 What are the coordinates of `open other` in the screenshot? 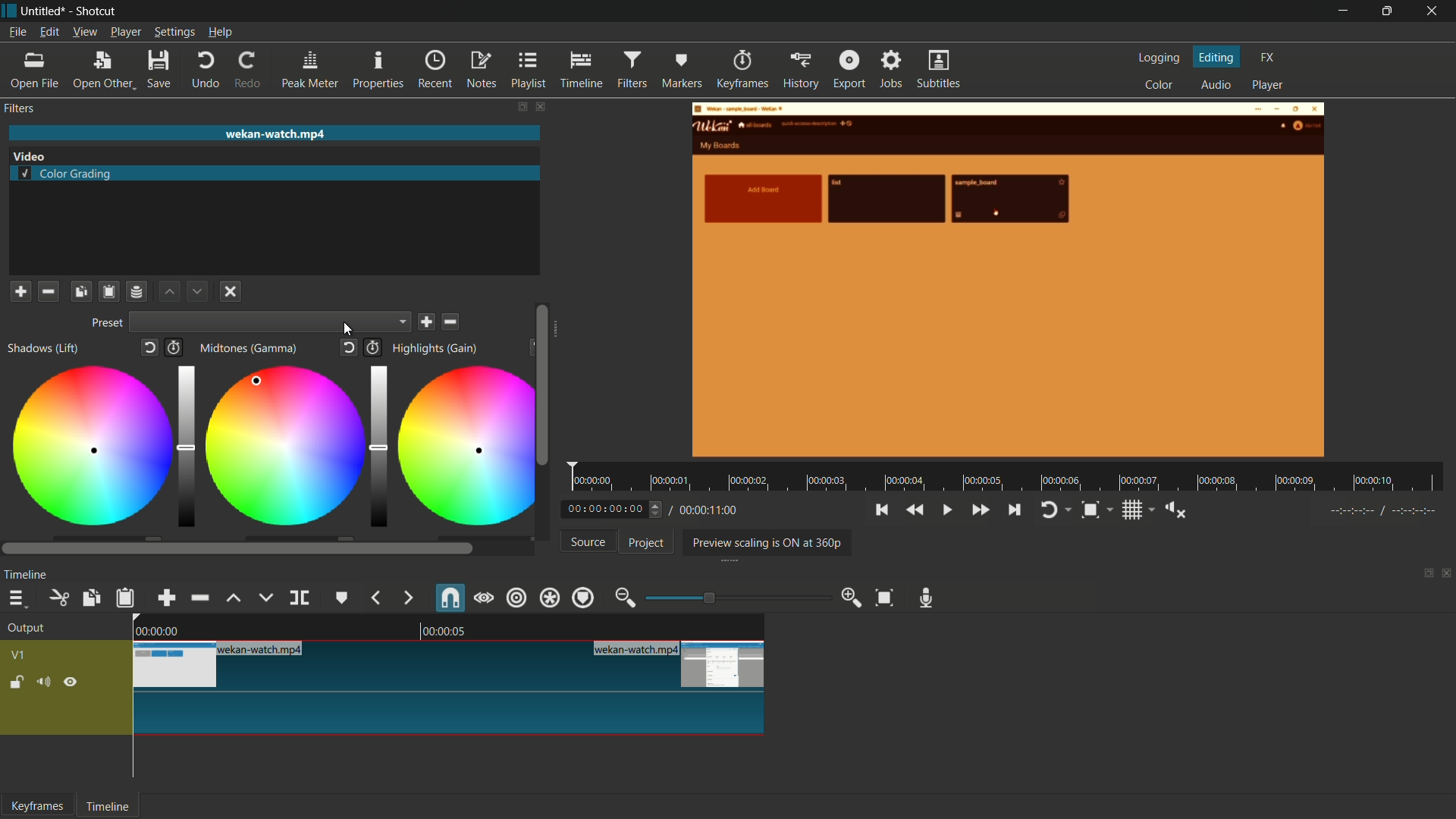 It's located at (103, 71).